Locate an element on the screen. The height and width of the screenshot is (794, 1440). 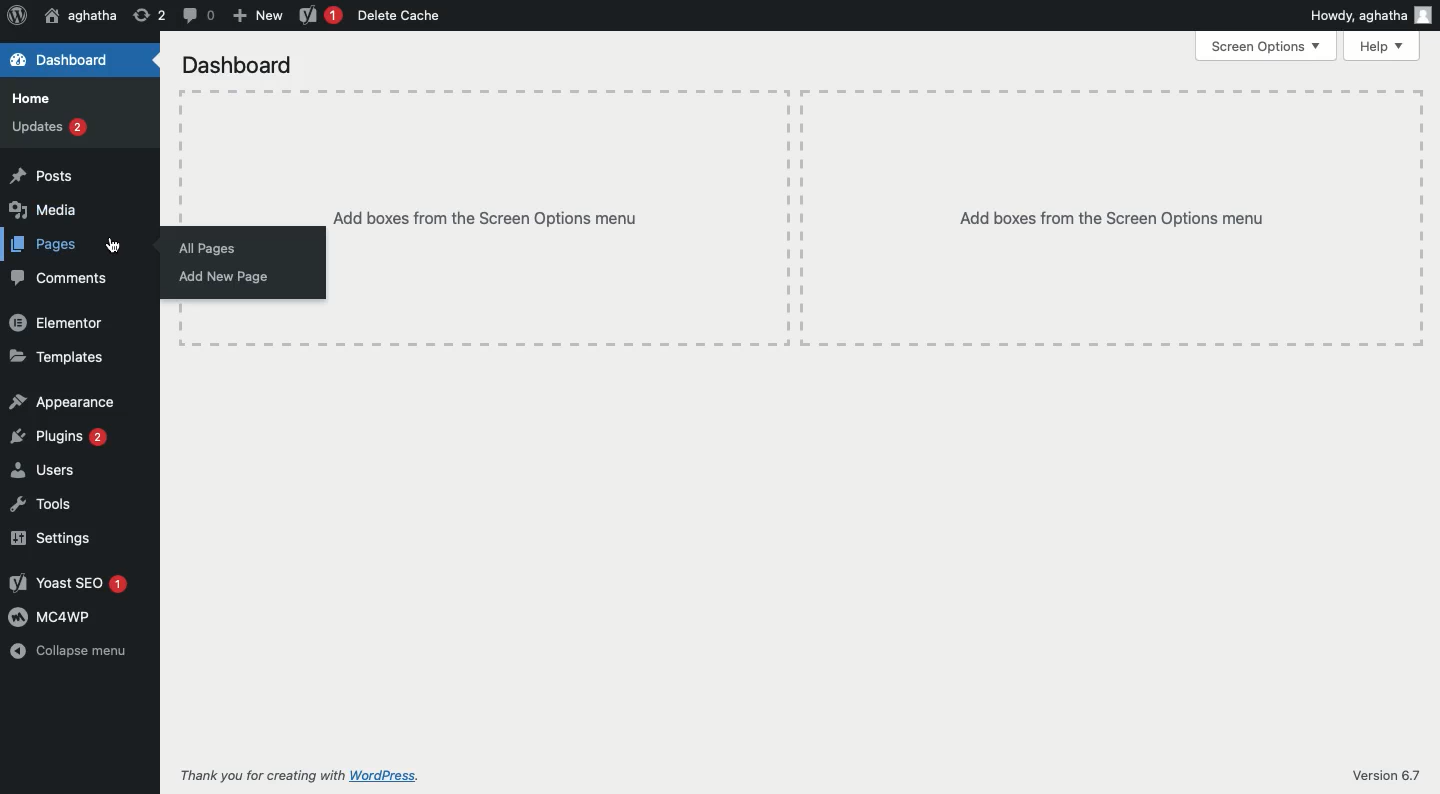
Media is located at coordinates (73, 210).